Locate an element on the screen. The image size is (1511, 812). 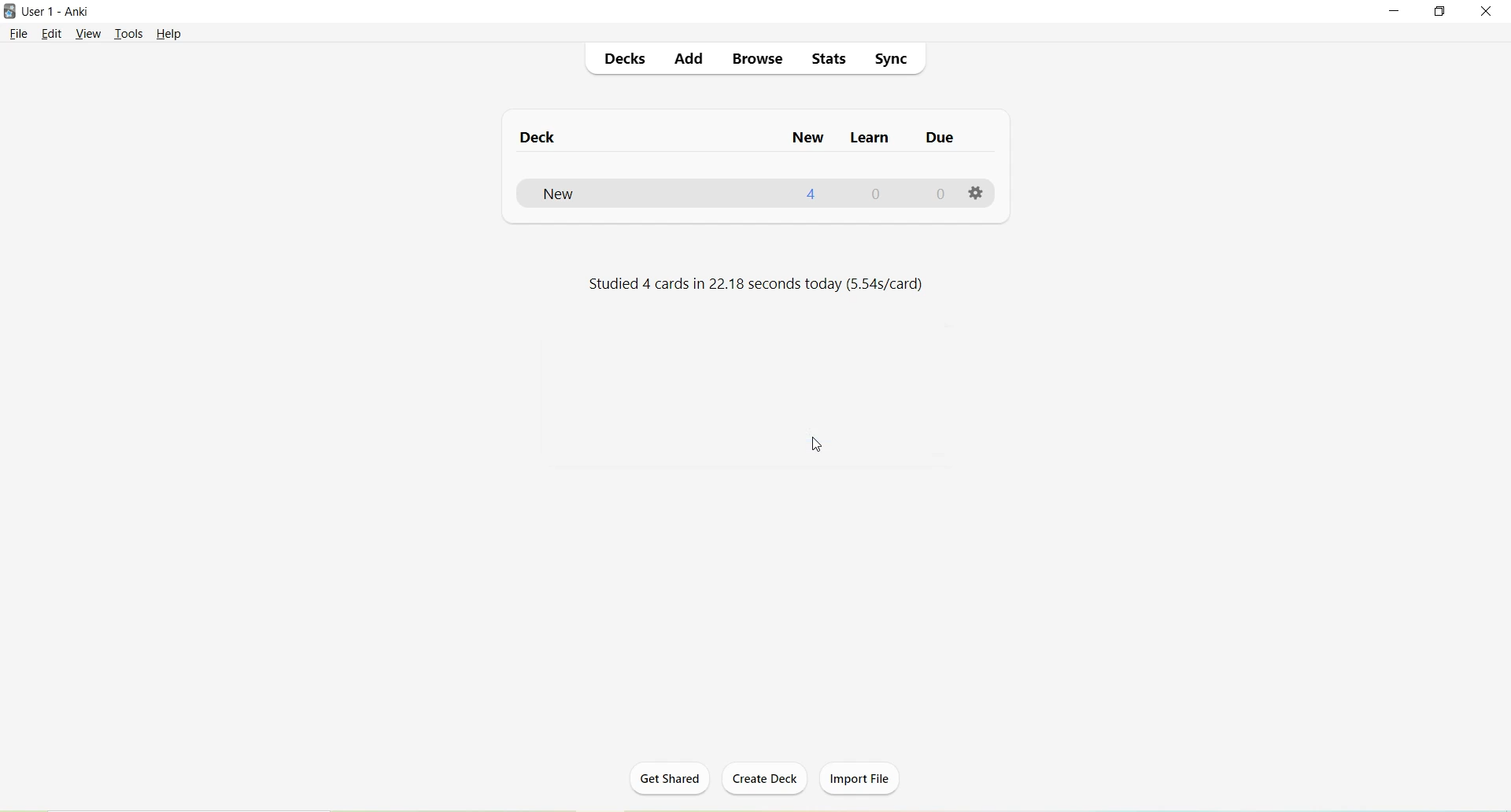
Create Deck is located at coordinates (766, 780).